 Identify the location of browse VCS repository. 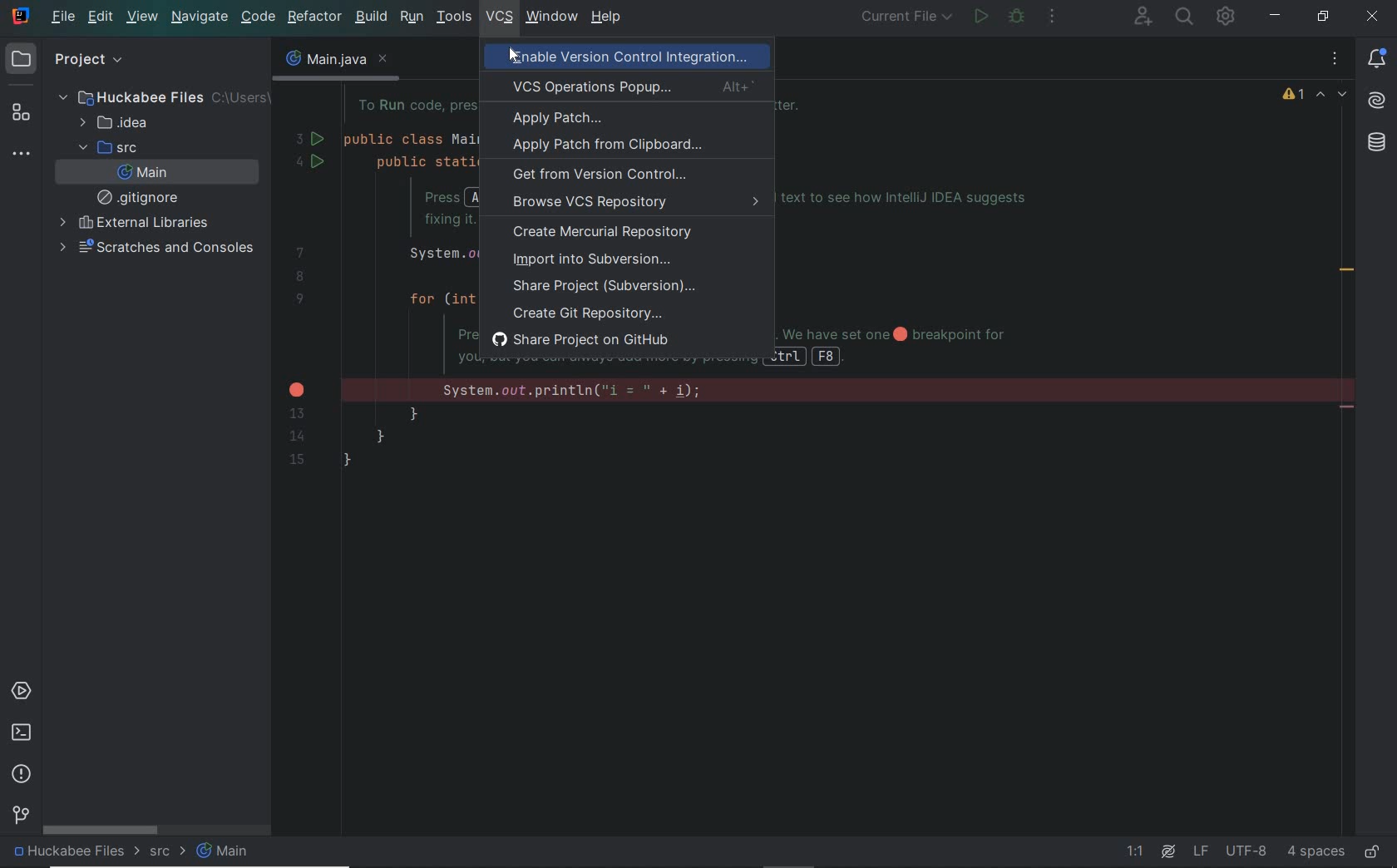
(626, 205).